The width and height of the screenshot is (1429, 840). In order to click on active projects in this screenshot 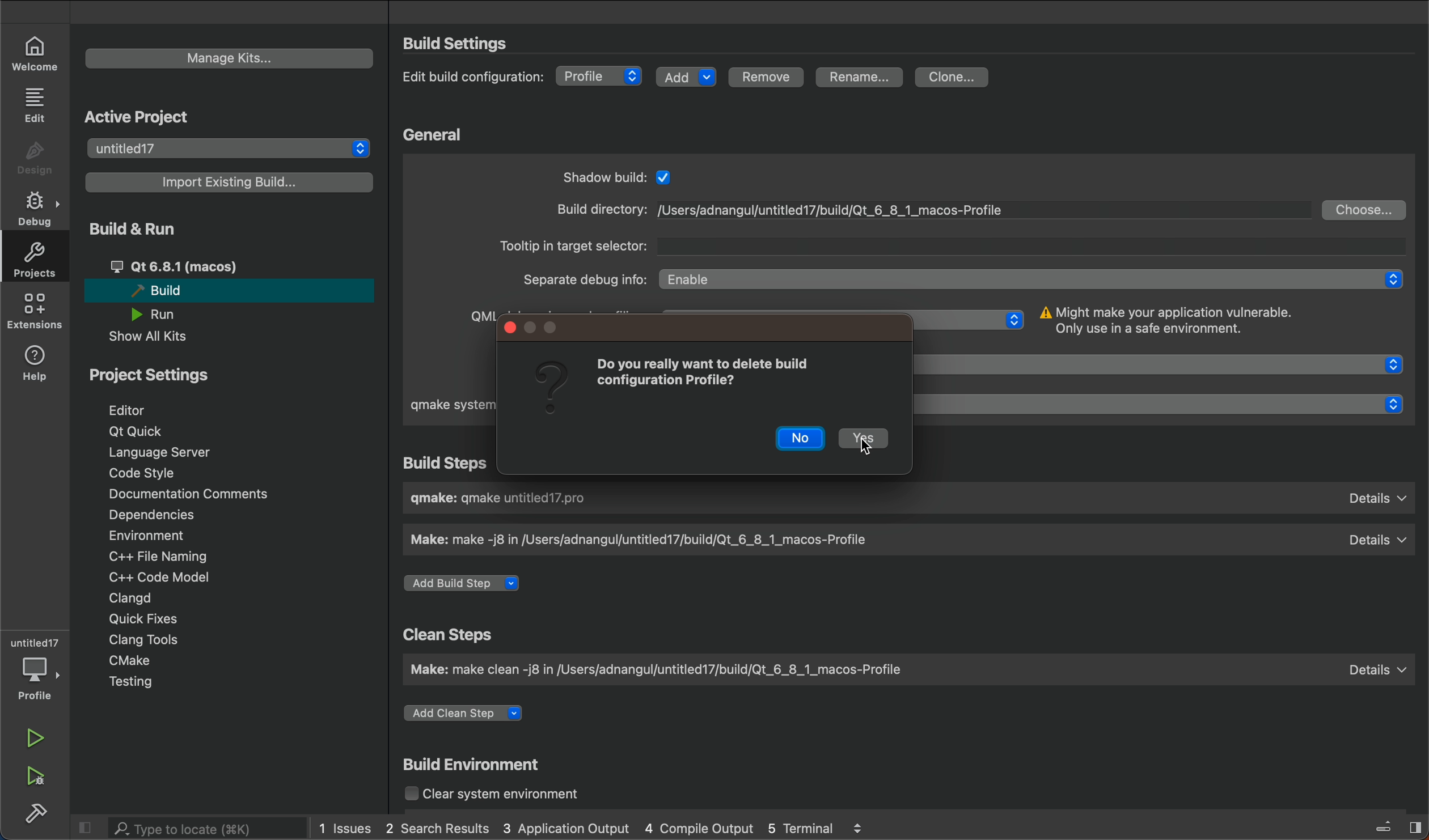, I will do `click(141, 117)`.